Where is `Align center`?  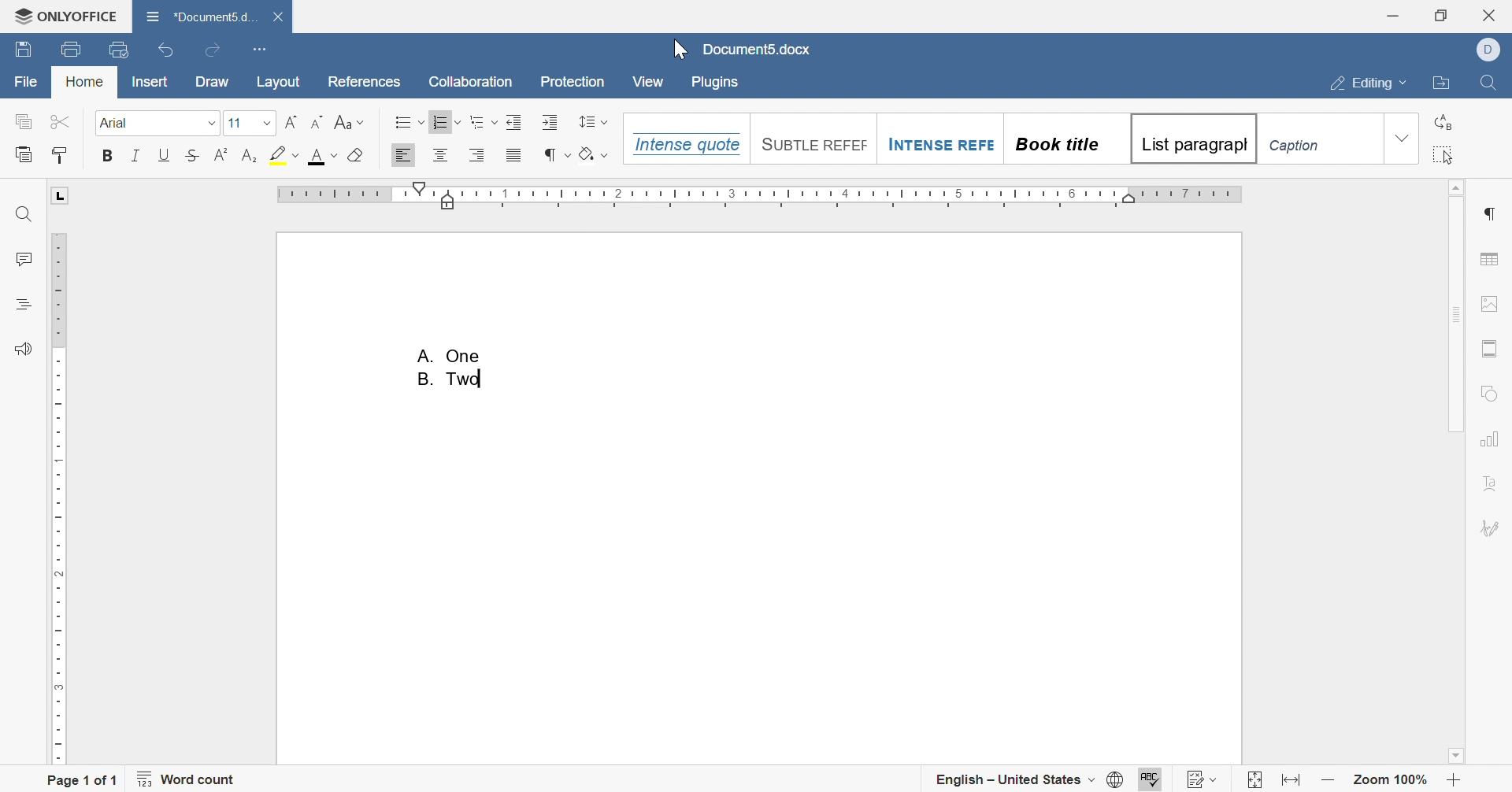 Align center is located at coordinates (443, 155).